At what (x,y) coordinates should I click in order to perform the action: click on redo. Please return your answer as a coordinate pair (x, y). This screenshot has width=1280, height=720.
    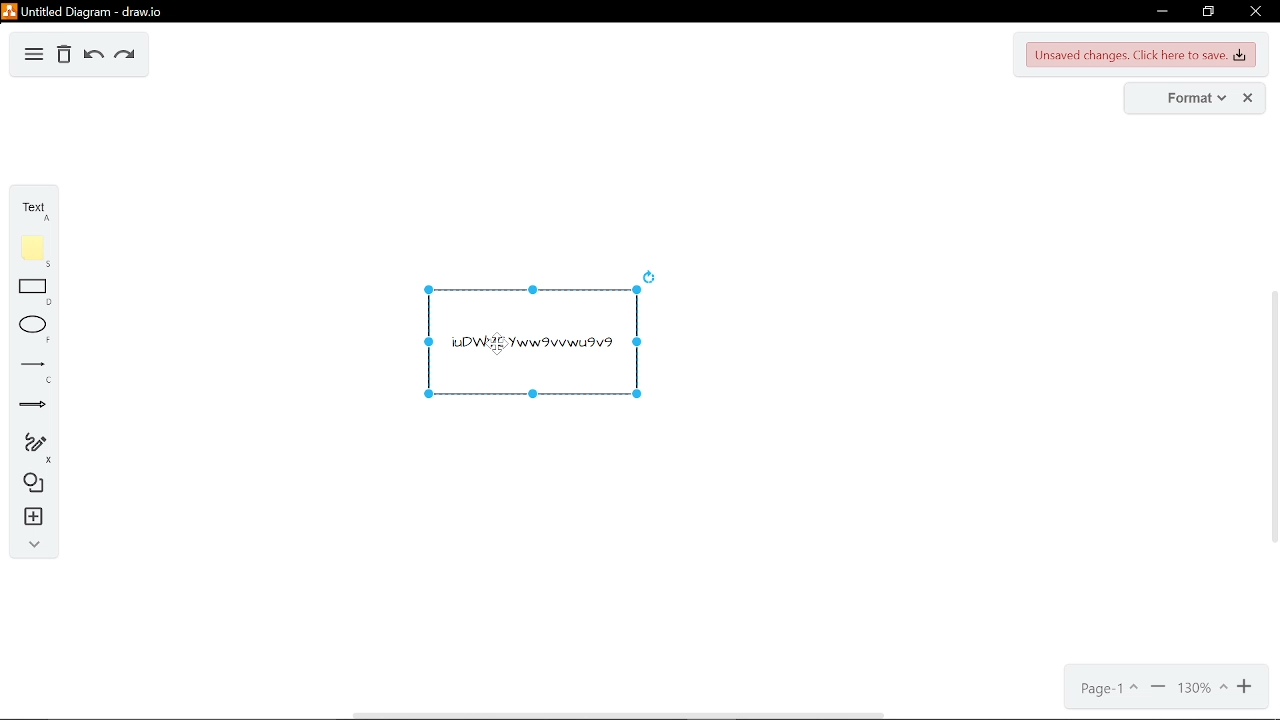
    Looking at the image, I should click on (124, 56).